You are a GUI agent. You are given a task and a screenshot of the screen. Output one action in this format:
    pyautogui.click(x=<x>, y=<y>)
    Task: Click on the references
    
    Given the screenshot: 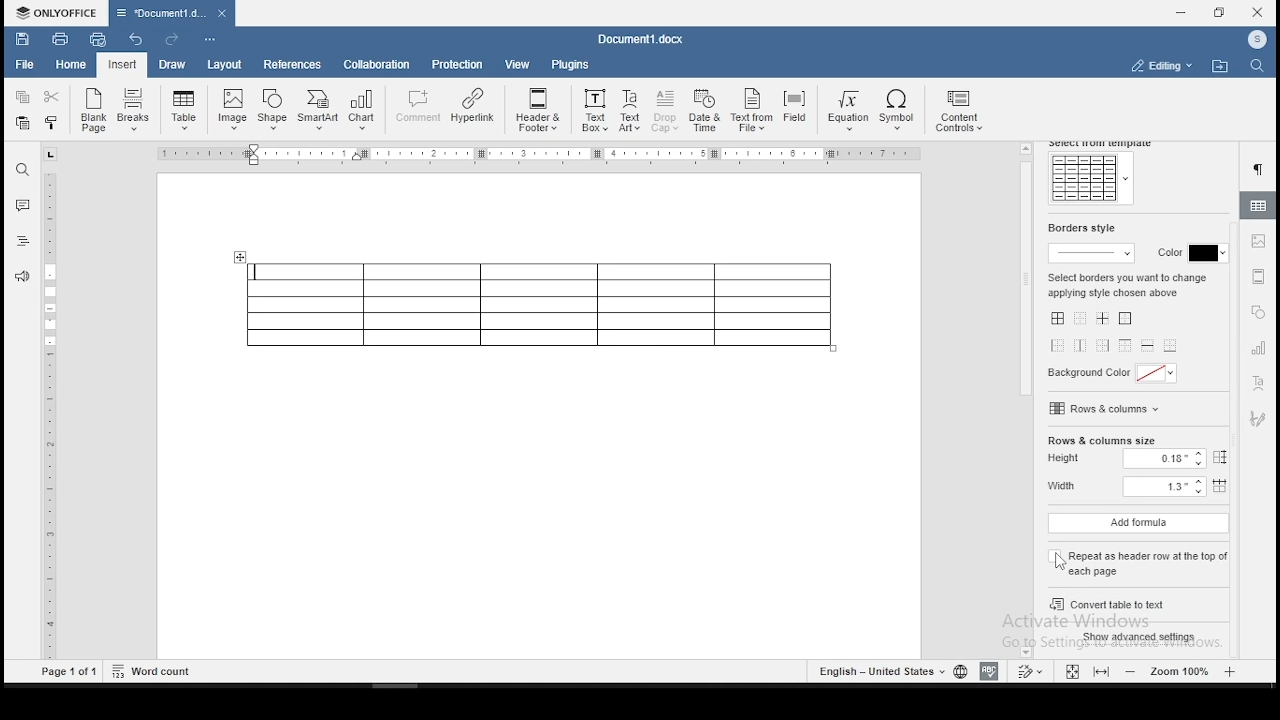 What is the action you would take?
    pyautogui.click(x=291, y=65)
    